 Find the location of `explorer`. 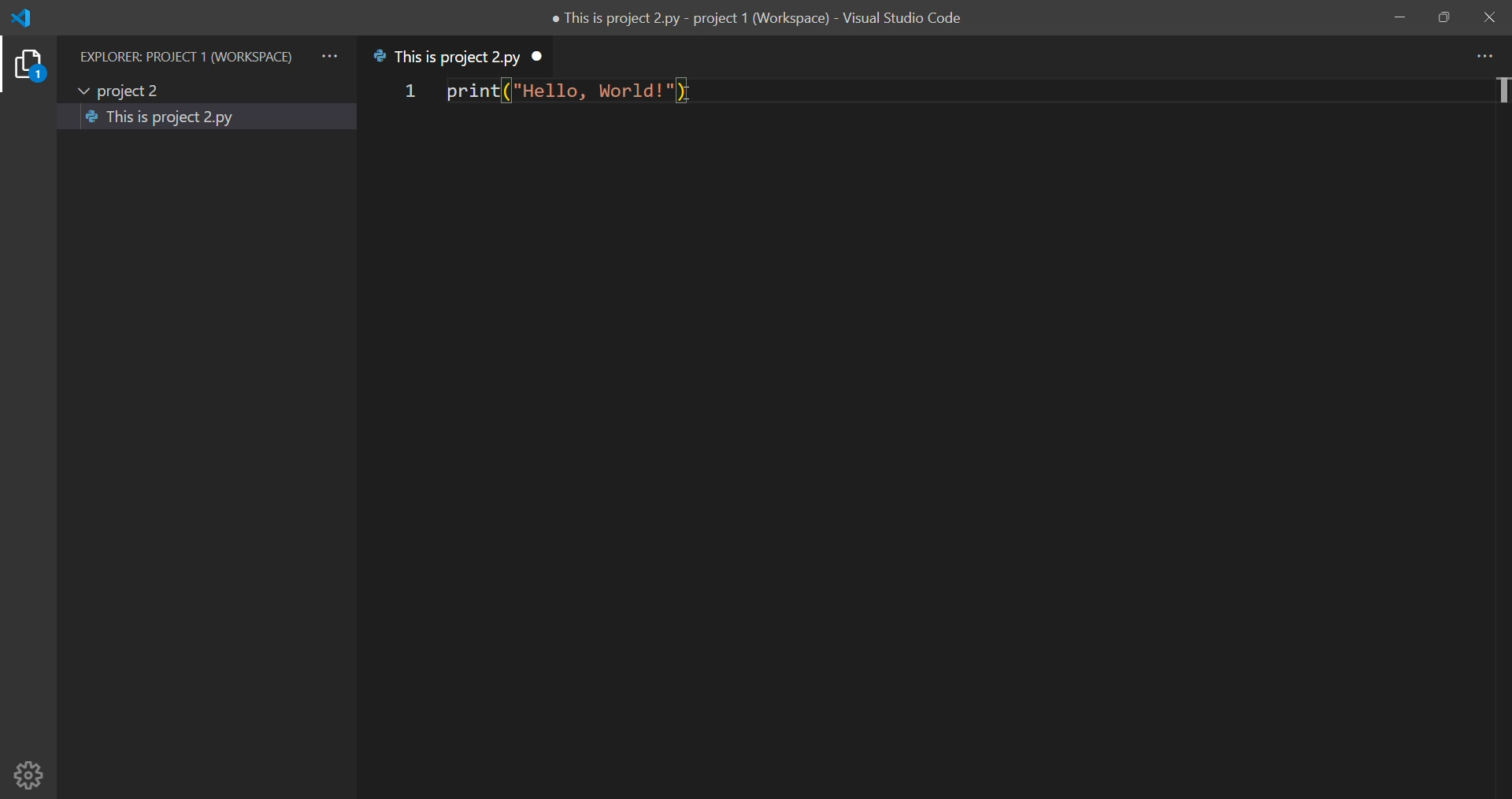

explorer is located at coordinates (28, 66).